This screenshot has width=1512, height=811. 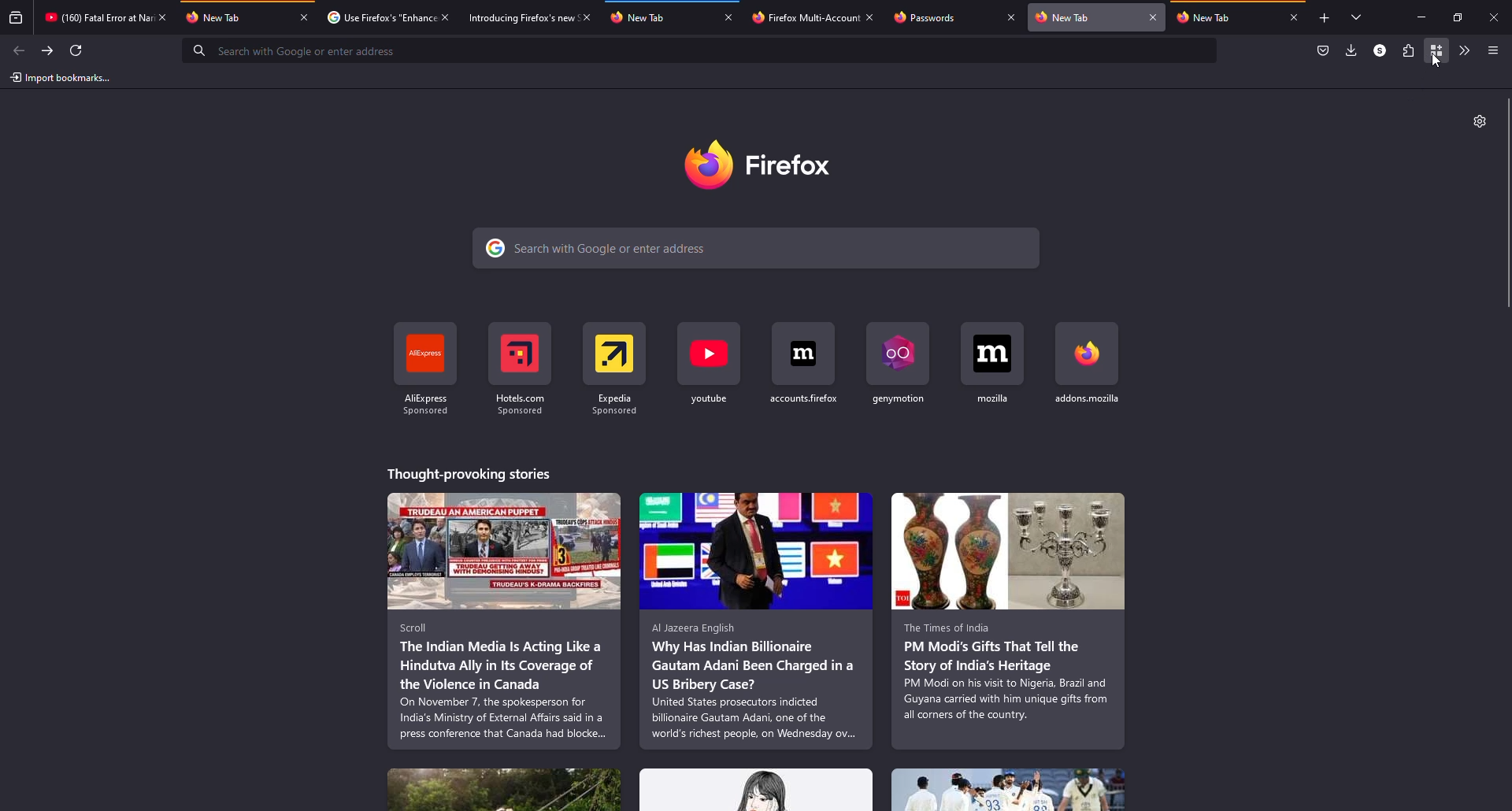 I want to click on import, so click(x=61, y=78).